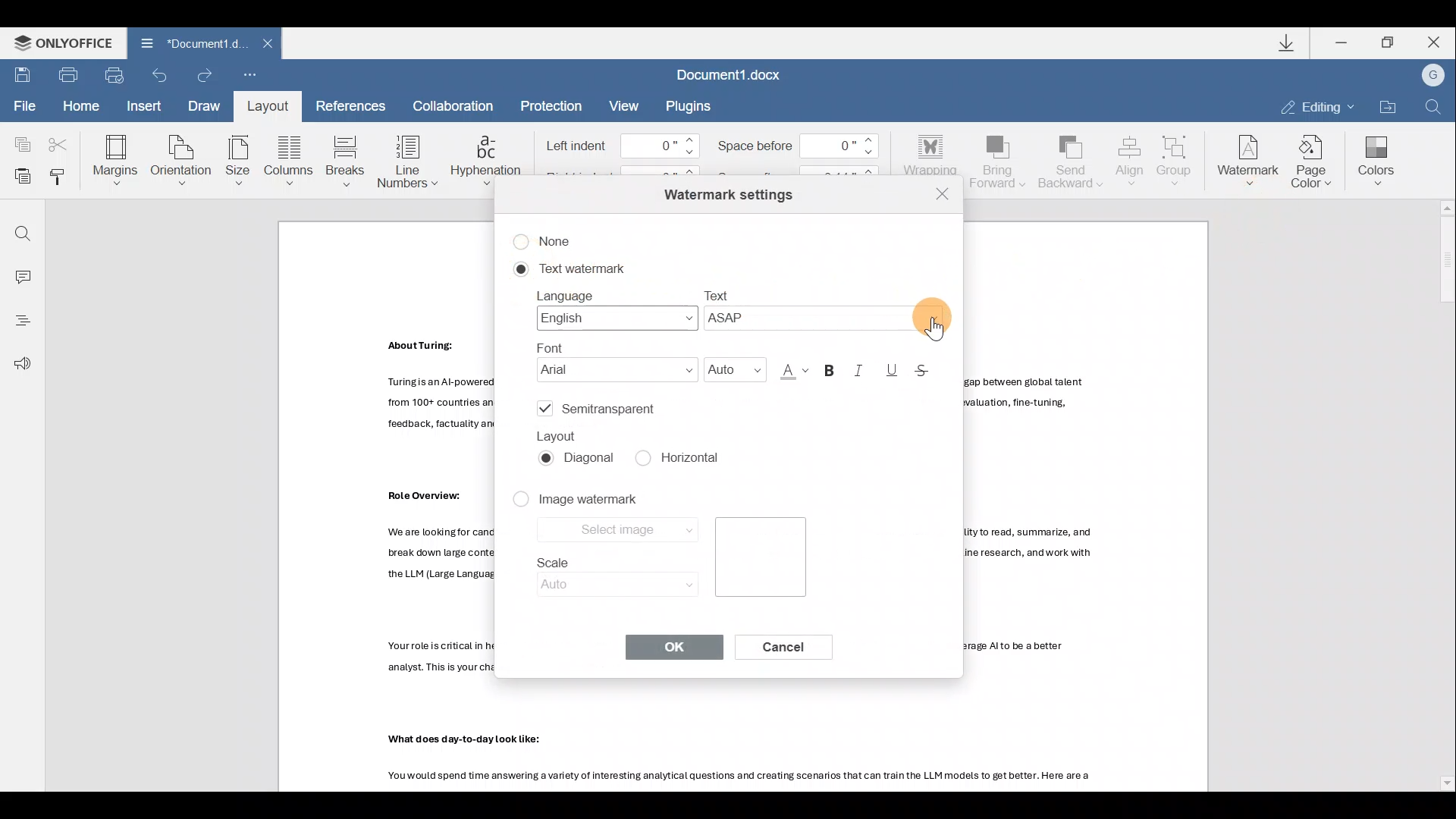 The height and width of the screenshot is (819, 1456). What do you see at coordinates (271, 43) in the screenshot?
I see `Close` at bounding box center [271, 43].